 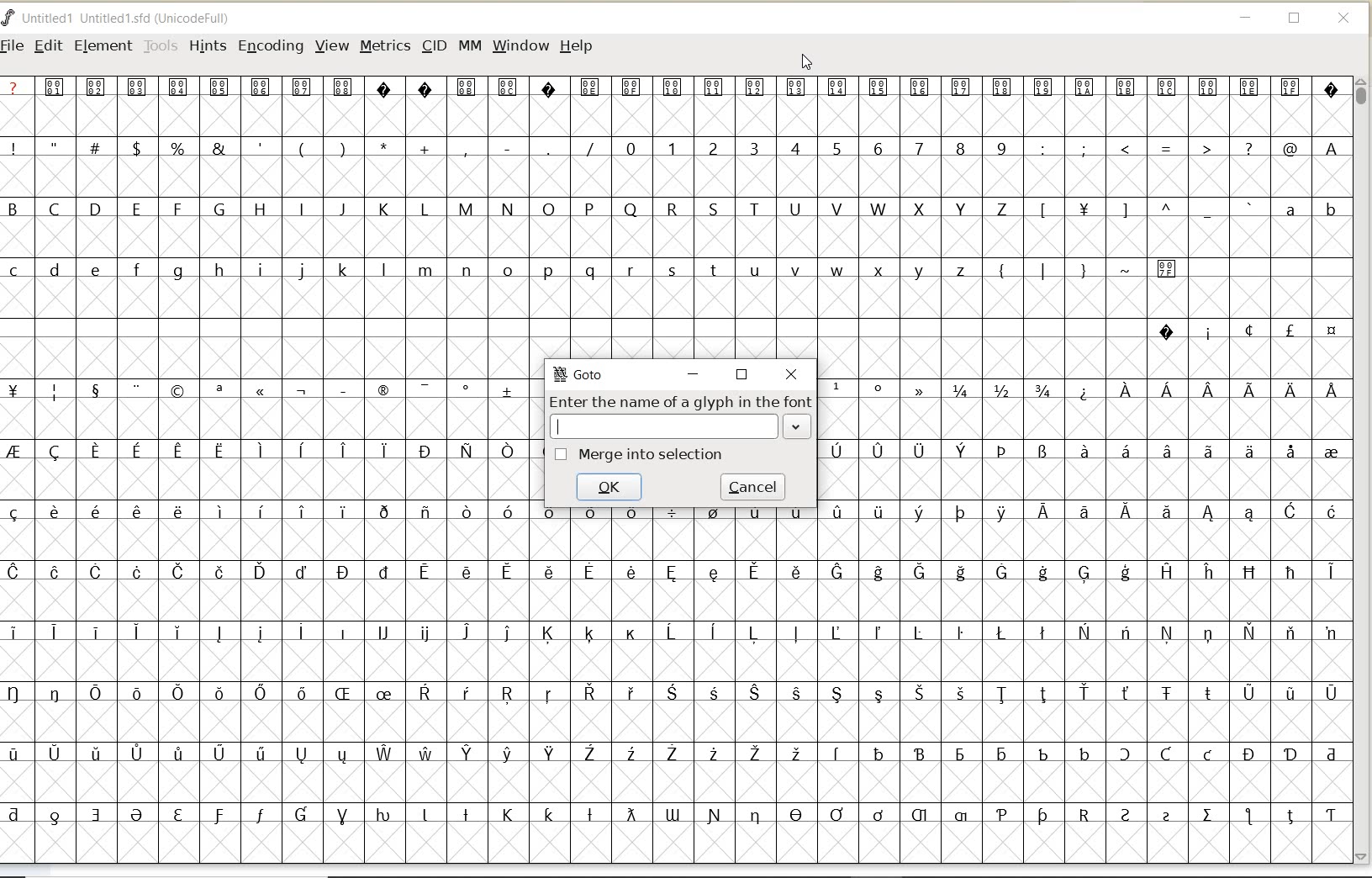 I want to click on lowercase letters, so click(x=1310, y=213).